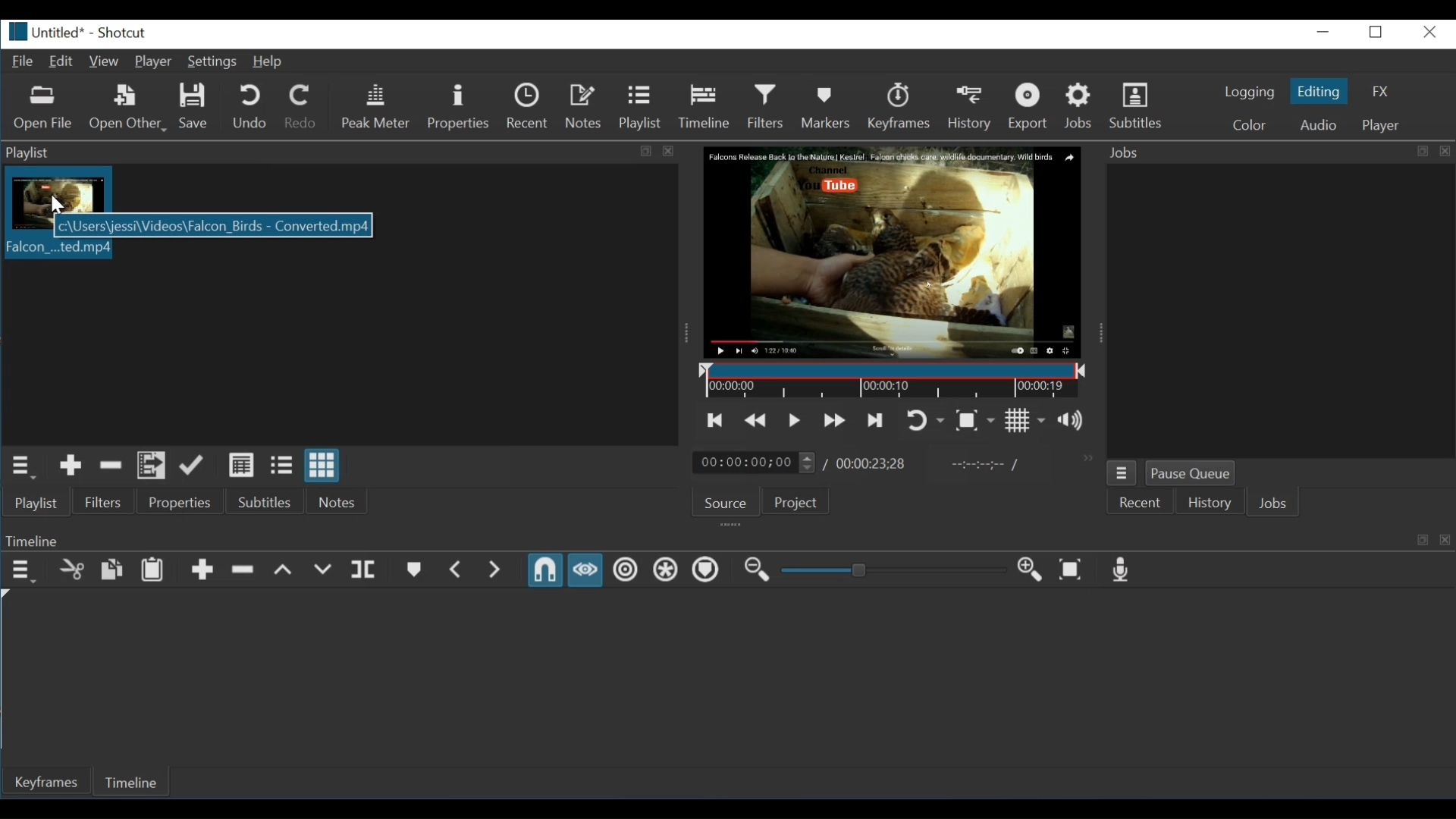  What do you see at coordinates (753, 422) in the screenshot?
I see `play quickly backwards` at bounding box center [753, 422].